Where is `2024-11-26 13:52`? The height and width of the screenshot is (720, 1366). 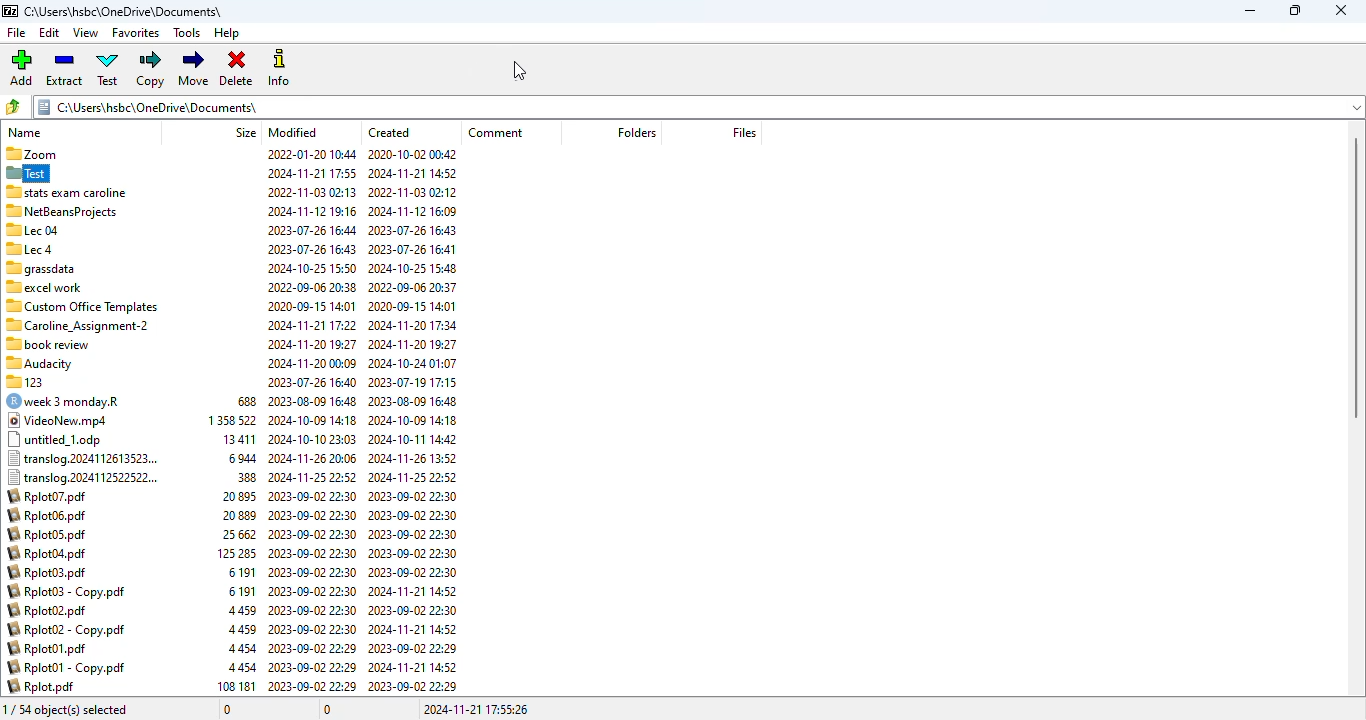 2024-11-26 13:52 is located at coordinates (415, 458).